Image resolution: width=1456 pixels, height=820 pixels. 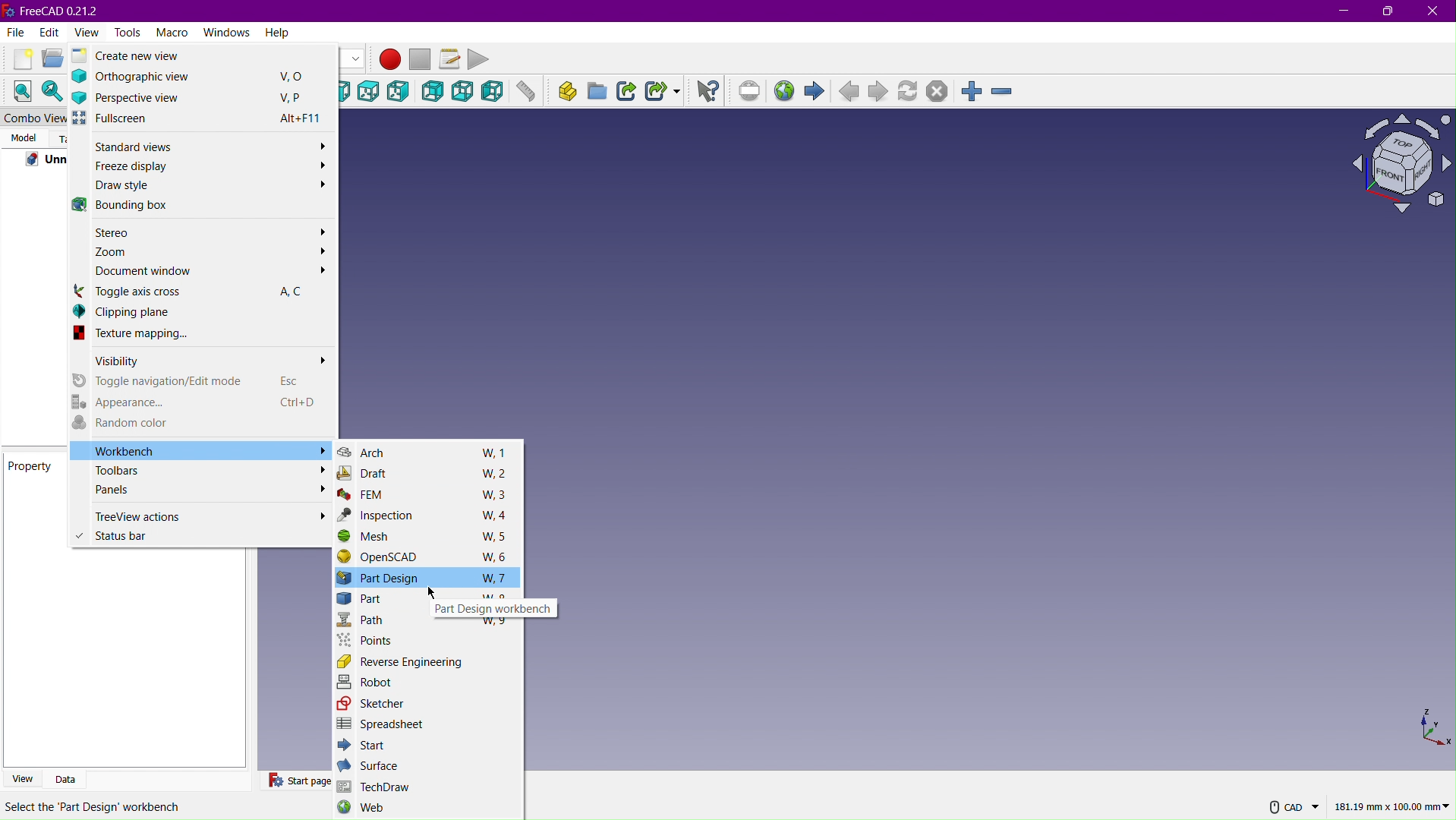 I want to click on Freeze display, so click(x=203, y=166).